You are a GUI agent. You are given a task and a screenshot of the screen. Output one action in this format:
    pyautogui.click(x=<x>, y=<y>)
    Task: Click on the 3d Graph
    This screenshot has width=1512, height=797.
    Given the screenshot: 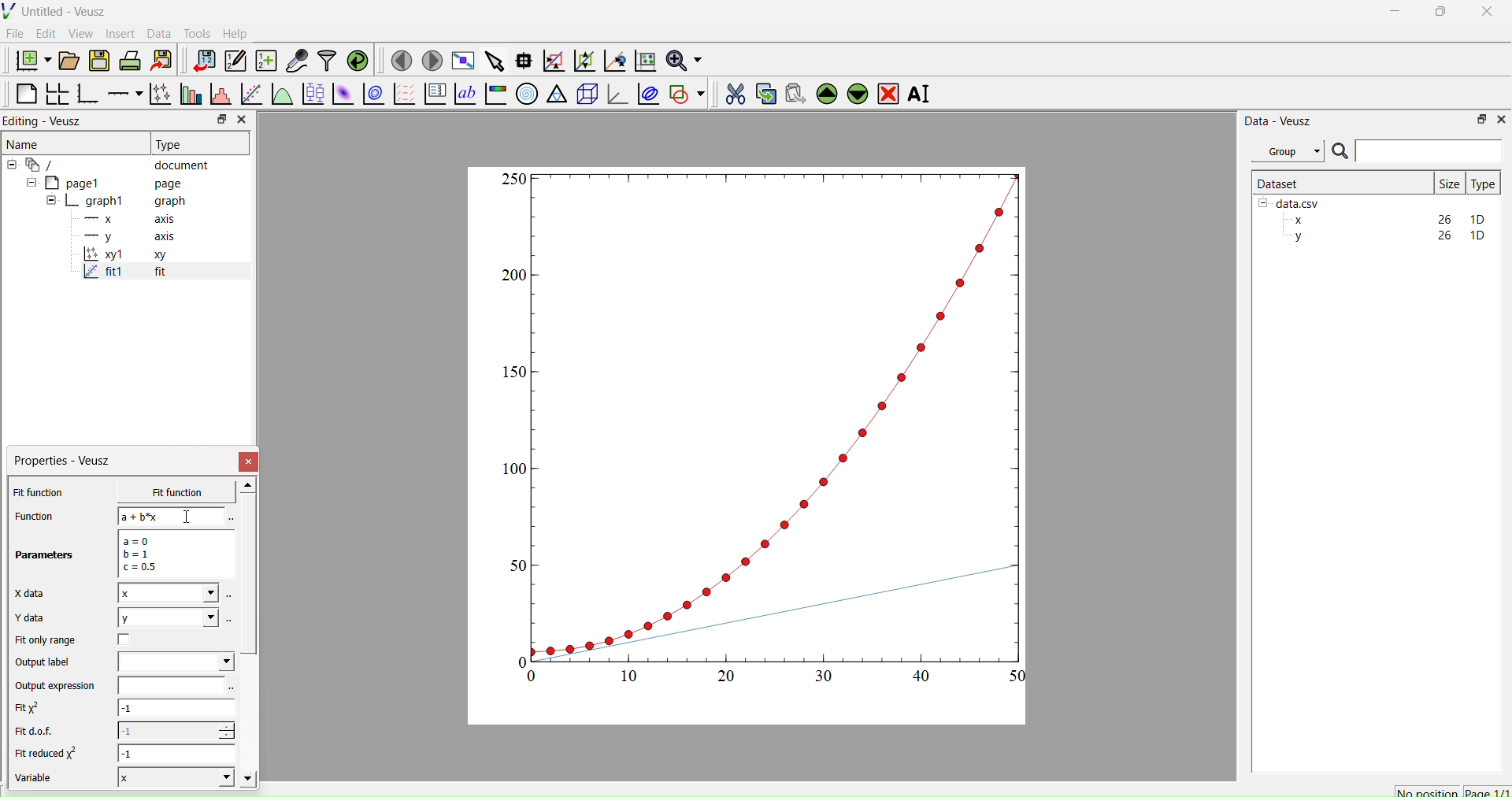 What is the action you would take?
    pyautogui.click(x=614, y=93)
    